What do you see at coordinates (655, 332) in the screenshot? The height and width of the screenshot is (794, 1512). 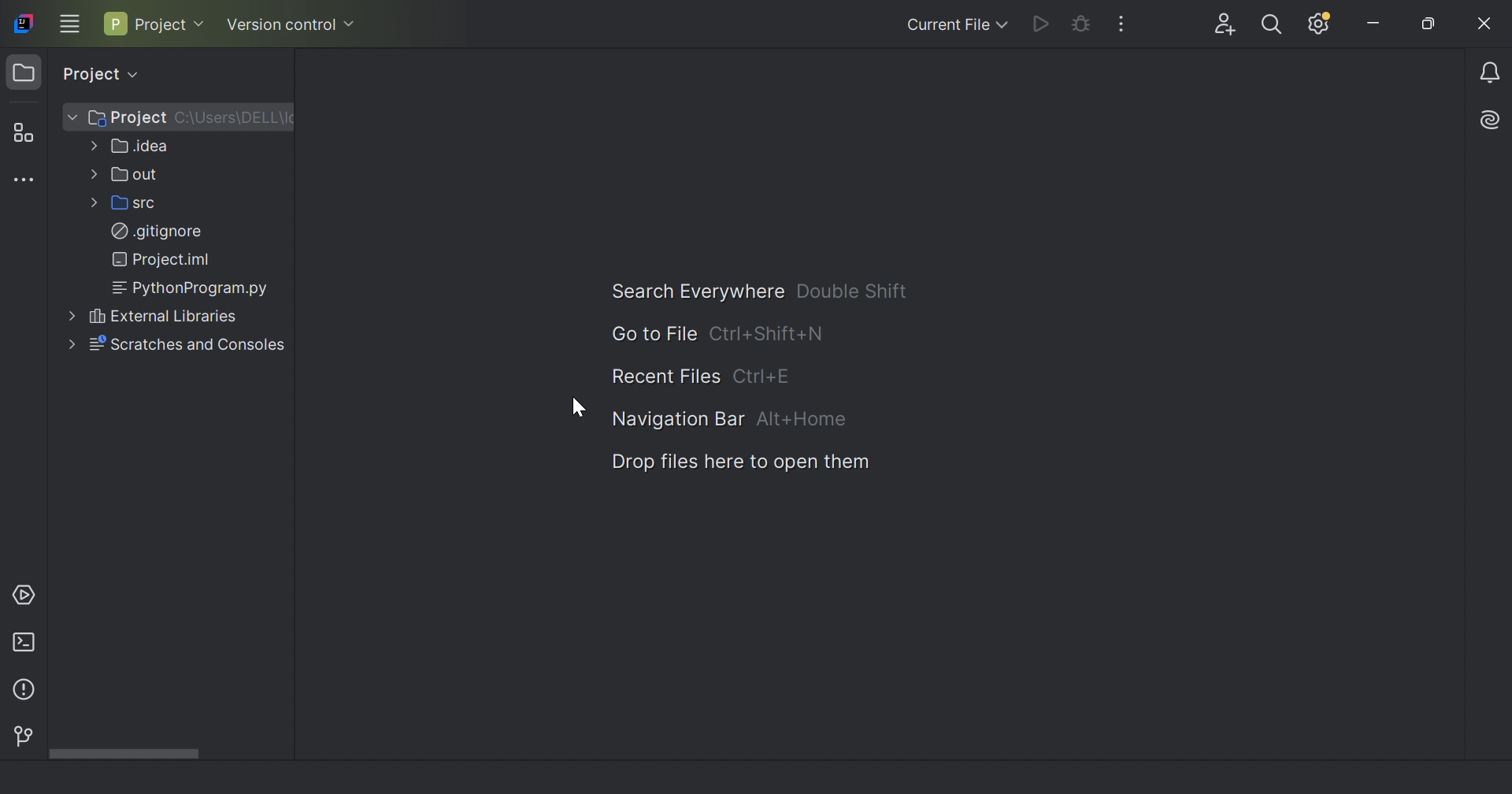 I see `Go to file` at bounding box center [655, 332].